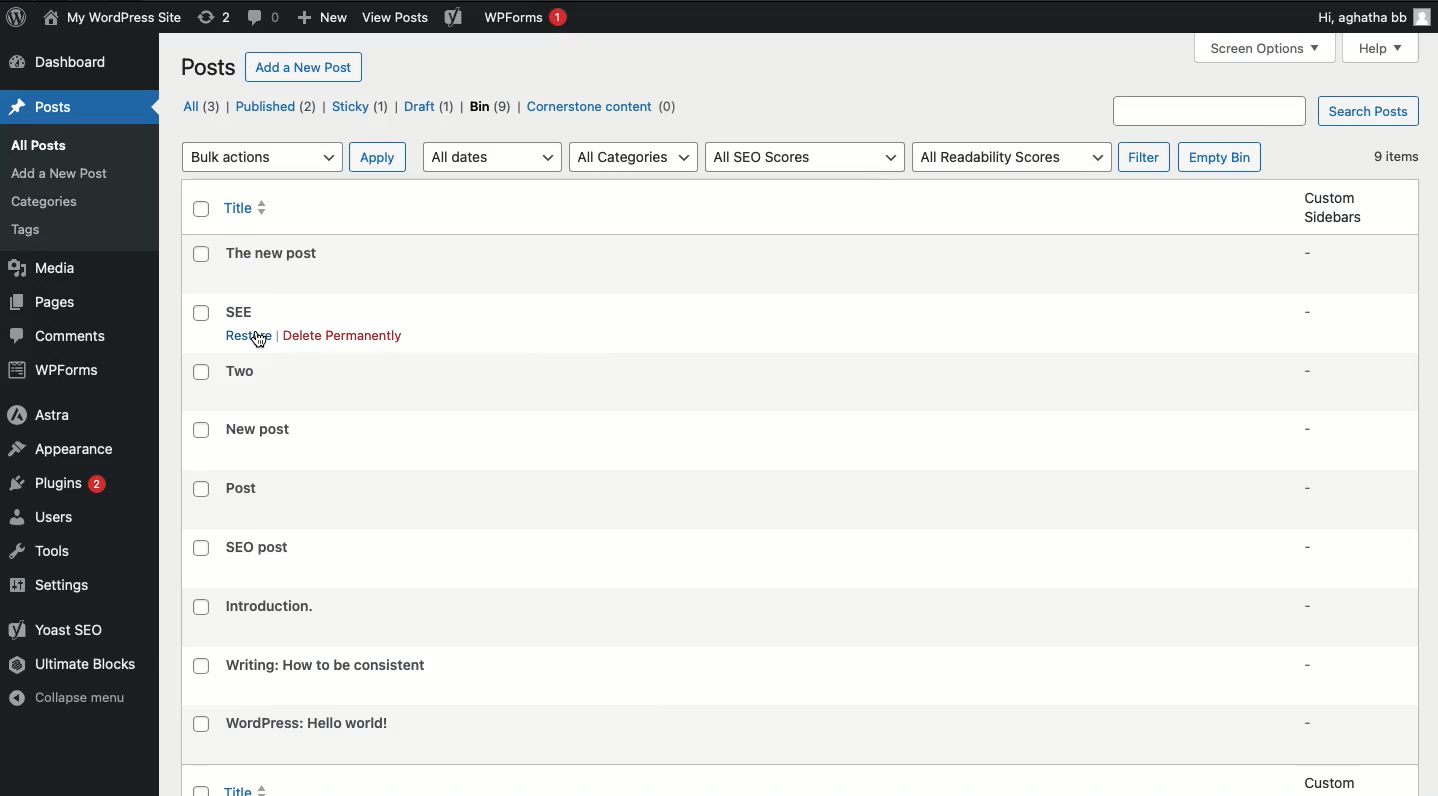 The height and width of the screenshot is (796, 1438). I want to click on custom, so click(1332, 783).